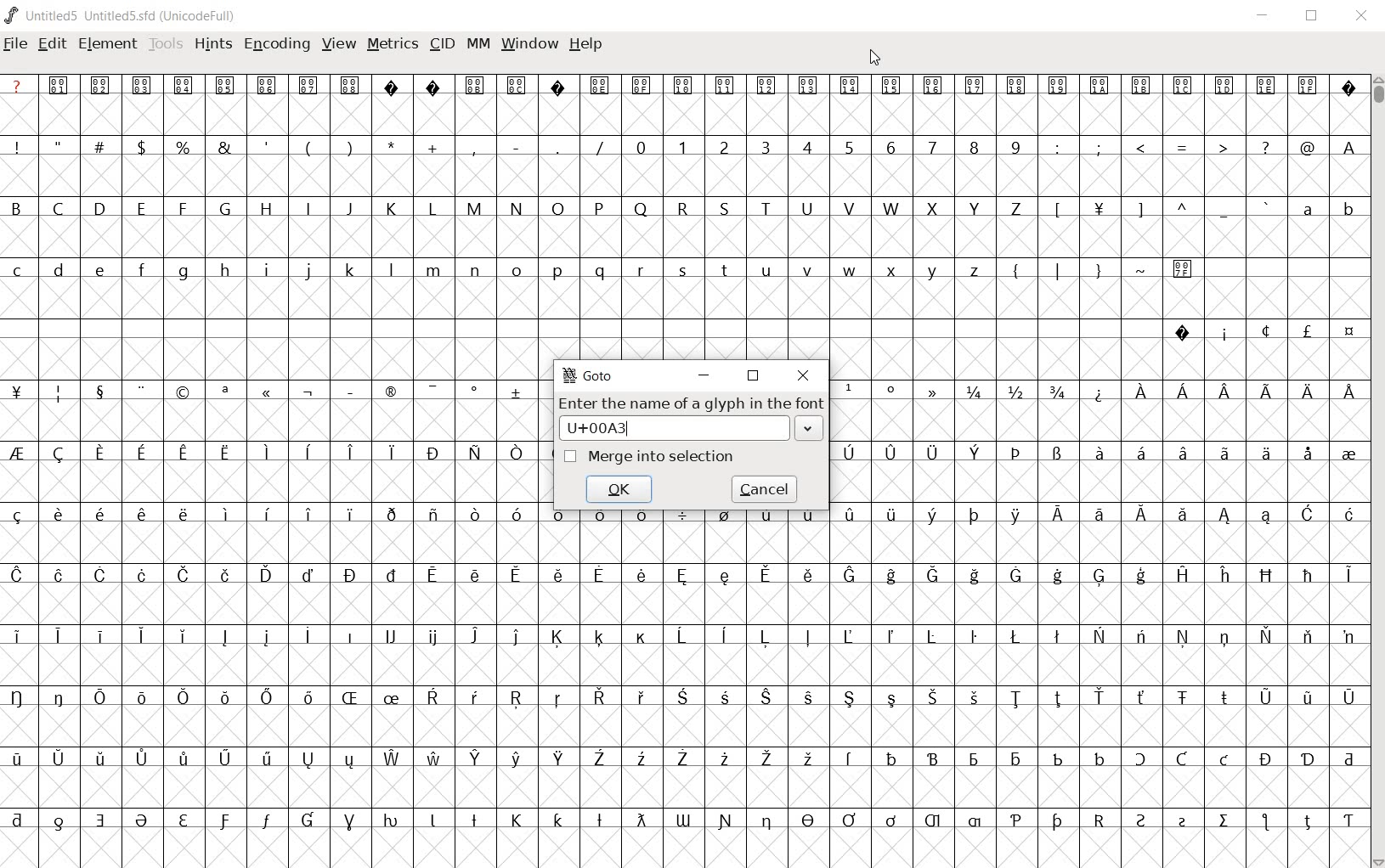  I want to click on Symbol, so click(849, 820).